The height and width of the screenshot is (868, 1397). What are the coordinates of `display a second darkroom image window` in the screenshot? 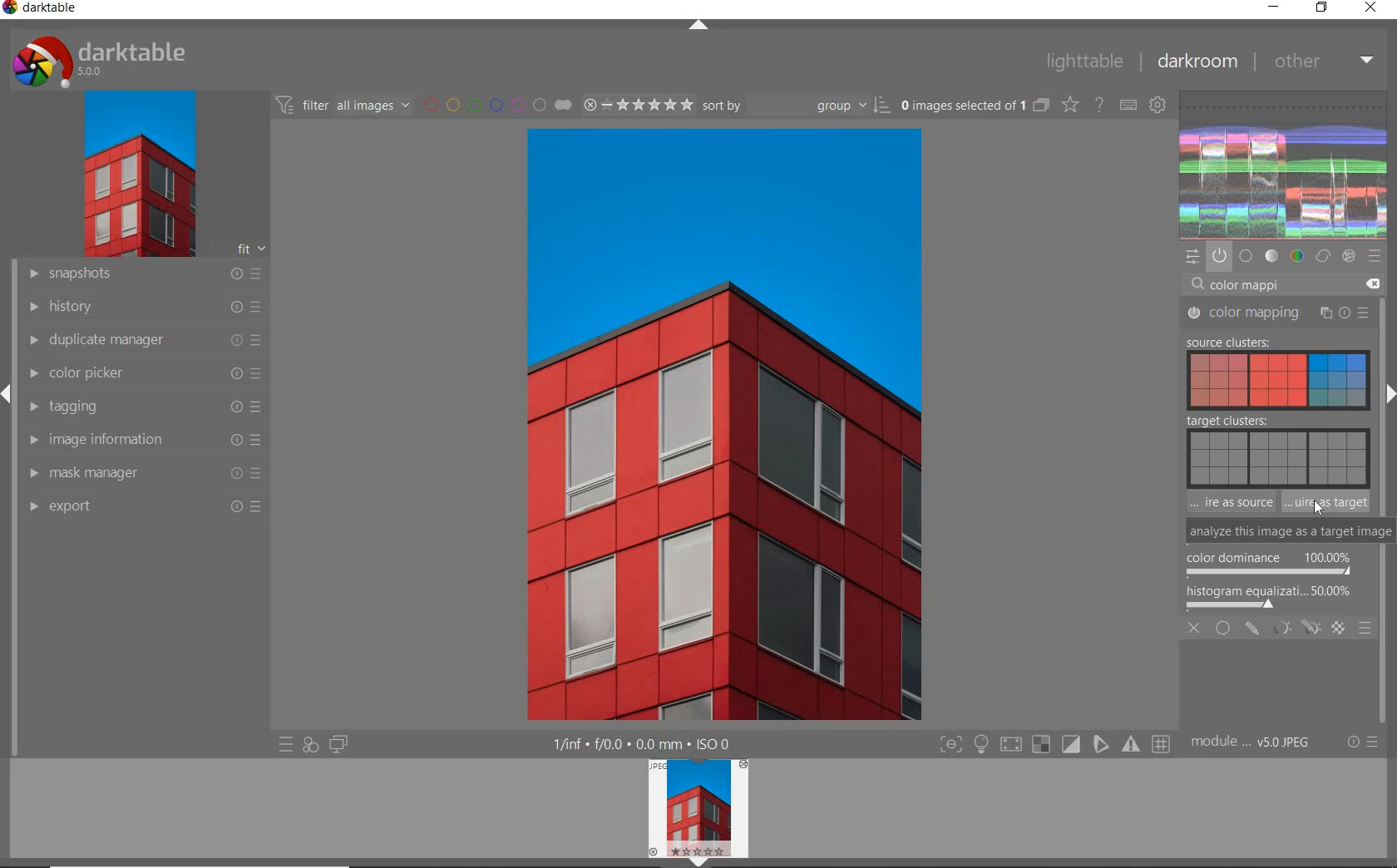 It's located at (336, 747).